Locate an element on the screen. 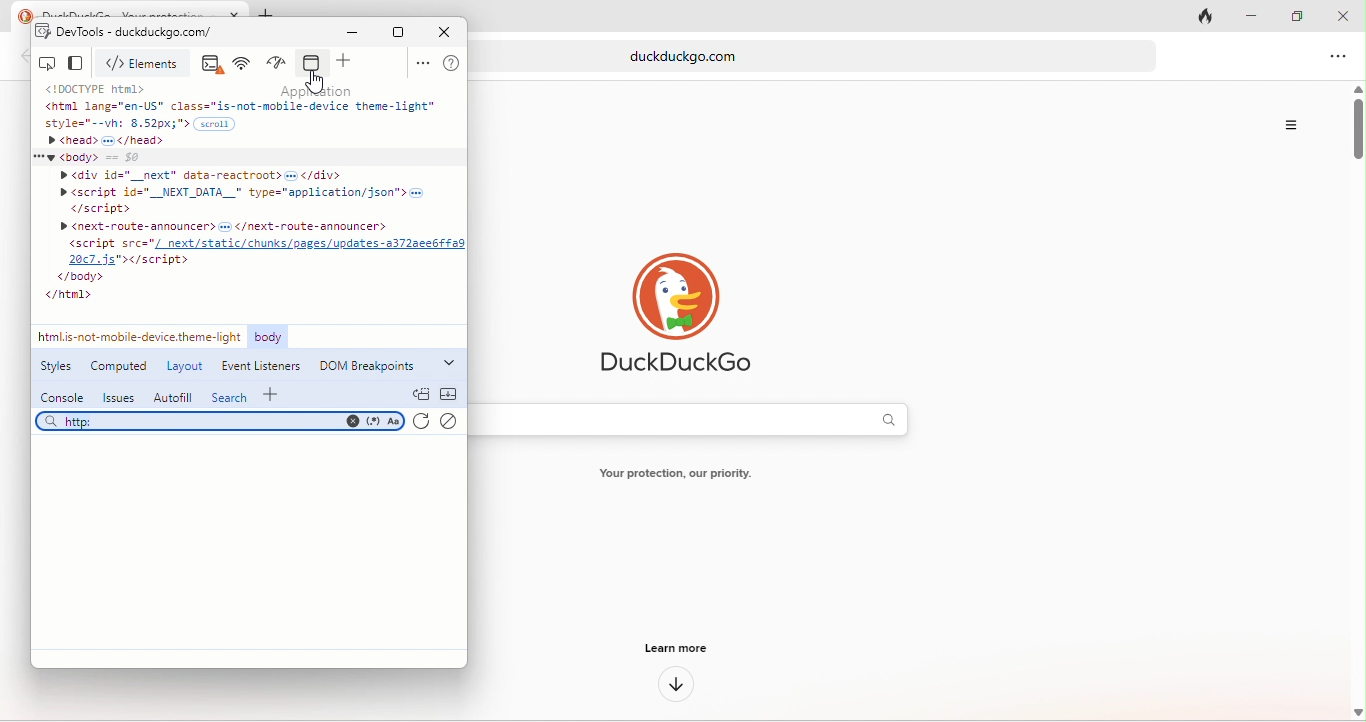 The height and width of the screenshot is (722, 1366). duck duck go logo is located at coordinates (674, 314).